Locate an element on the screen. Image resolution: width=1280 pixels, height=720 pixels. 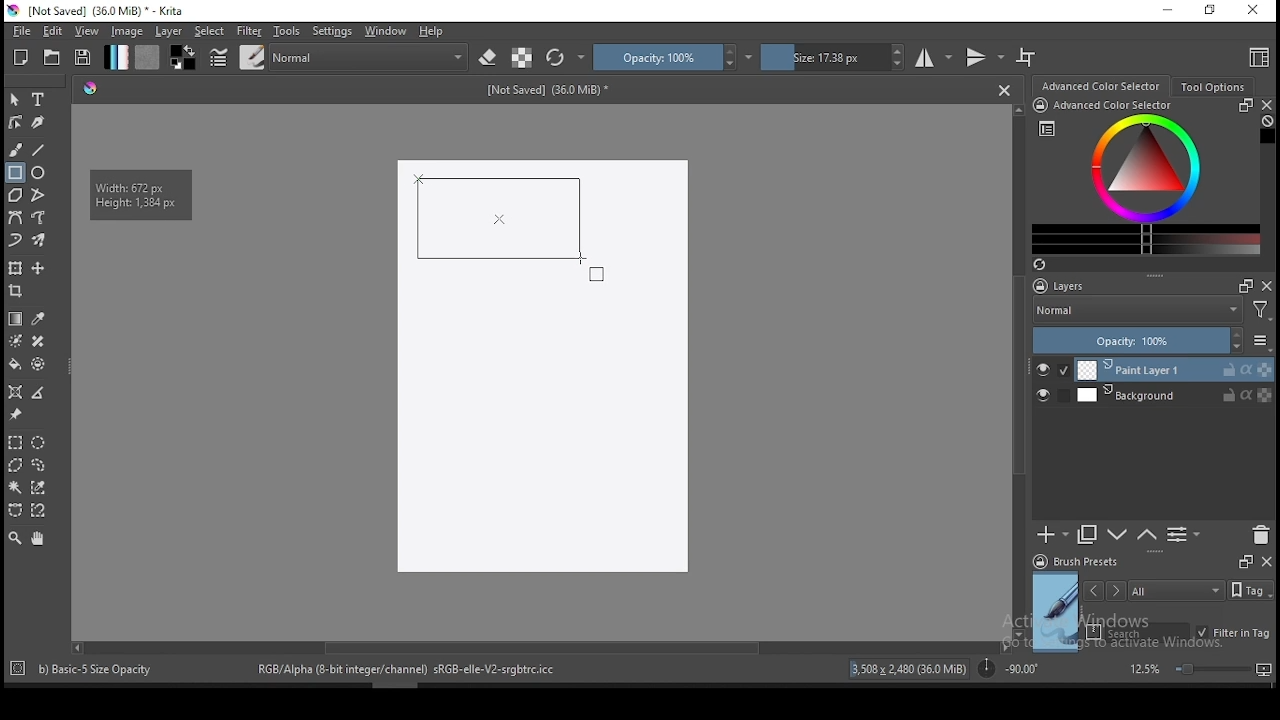
line tool is located at coordinates (39, 150).